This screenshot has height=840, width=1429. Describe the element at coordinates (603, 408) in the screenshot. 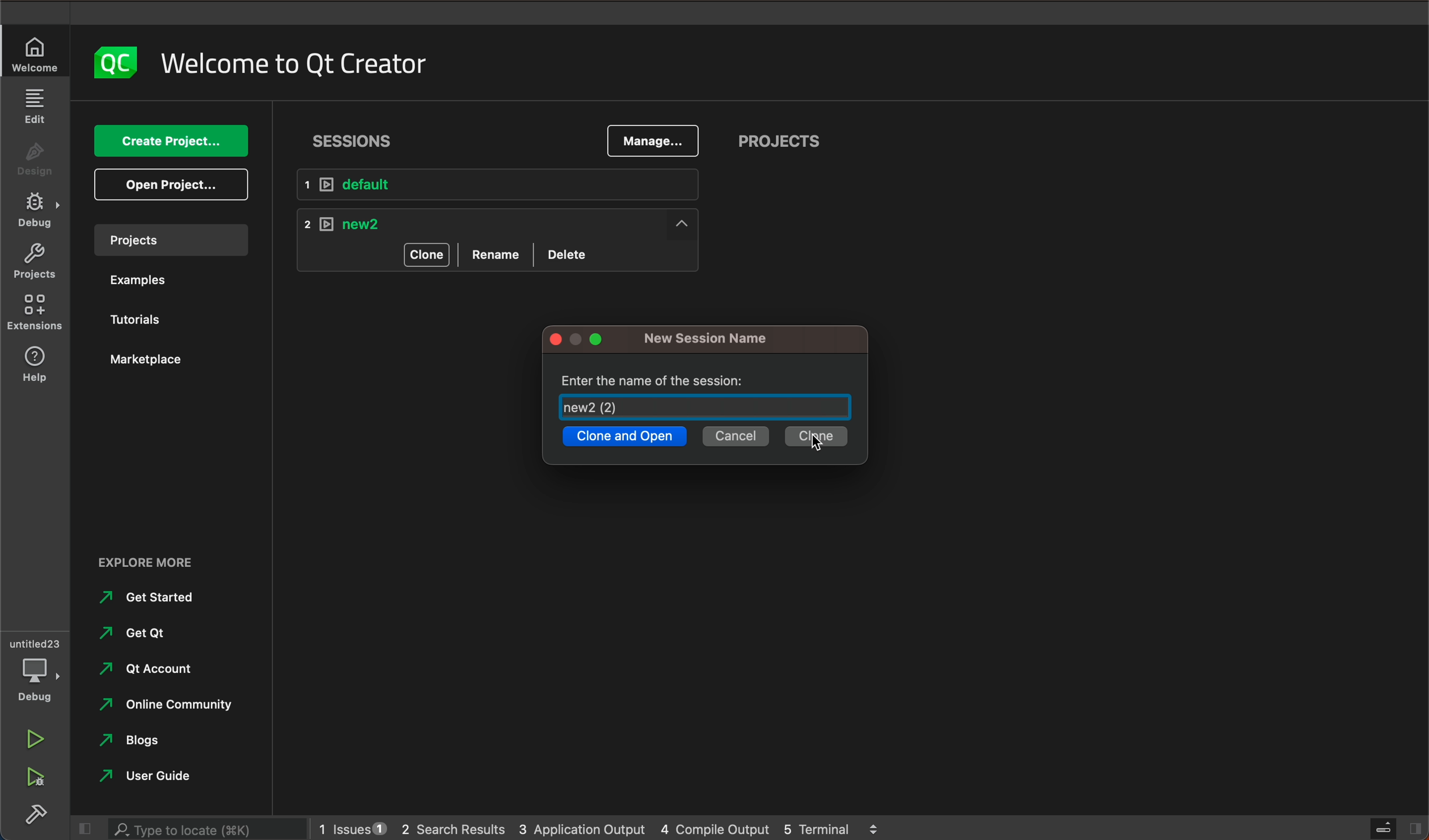

I see `new2(2)` at that location.